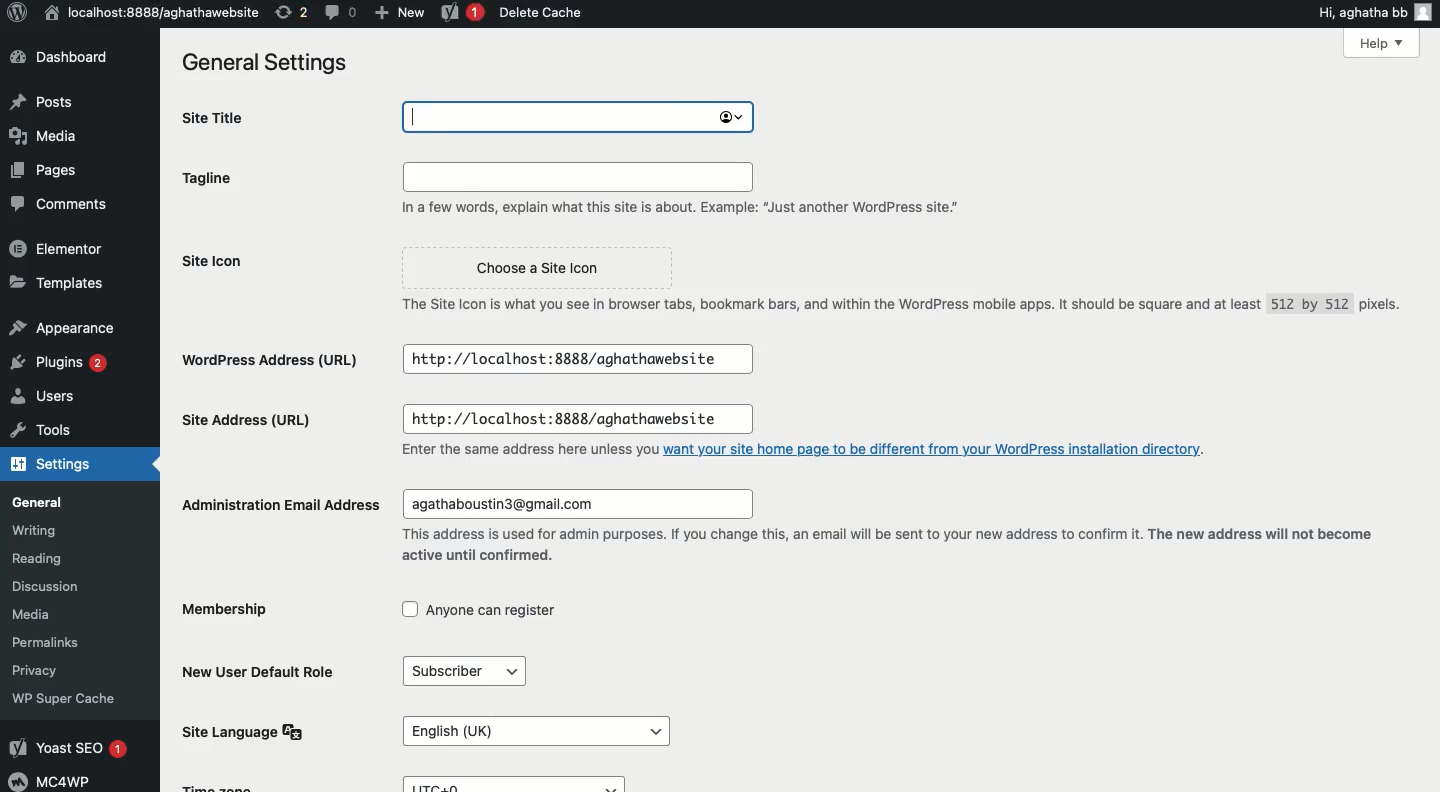  Describe the element at coordinates (234, 278) in the screenshot. I see `Site icon` at that location.